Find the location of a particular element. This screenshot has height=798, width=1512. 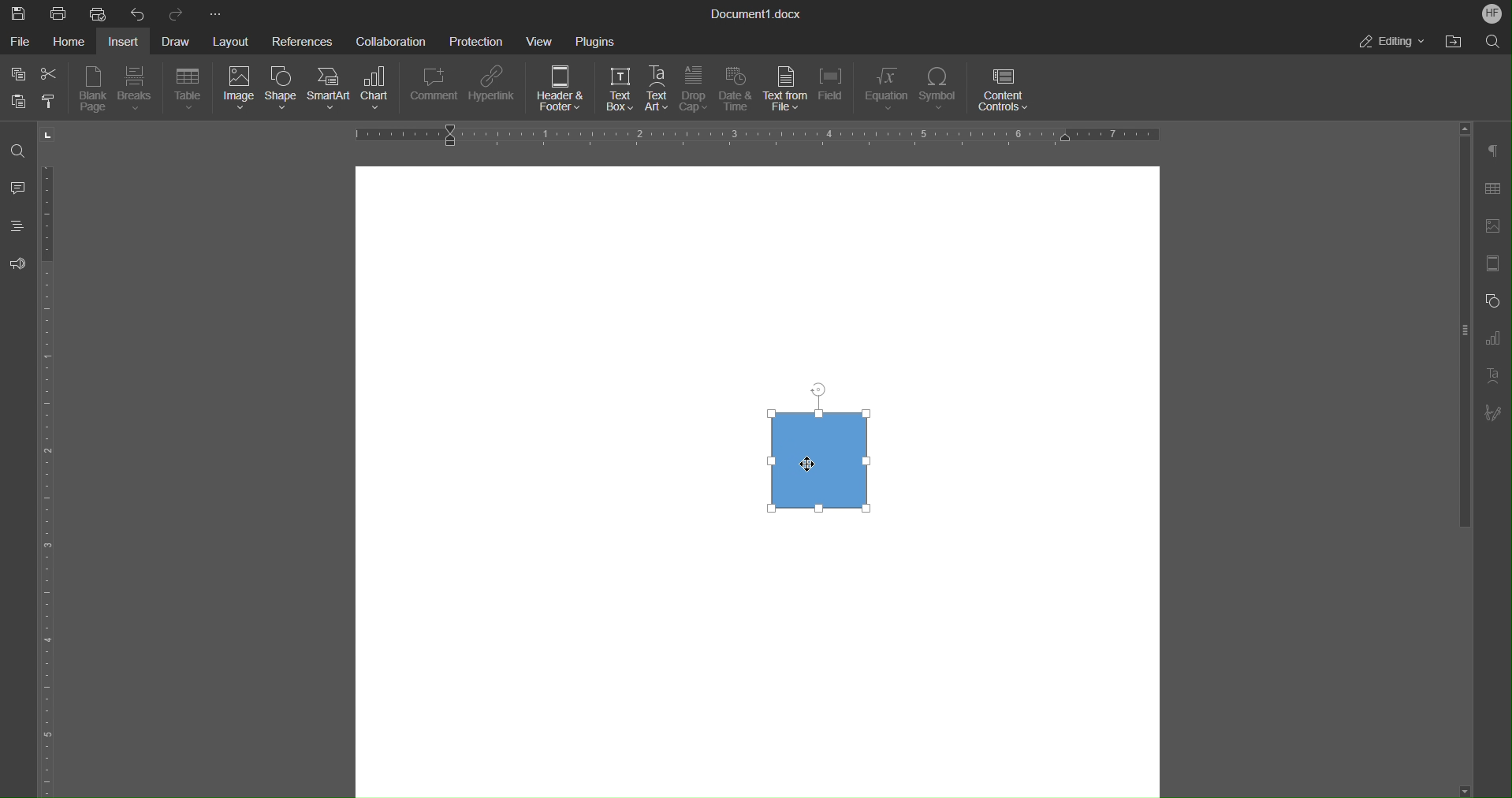

Copy is located at coordinates (17, 73).